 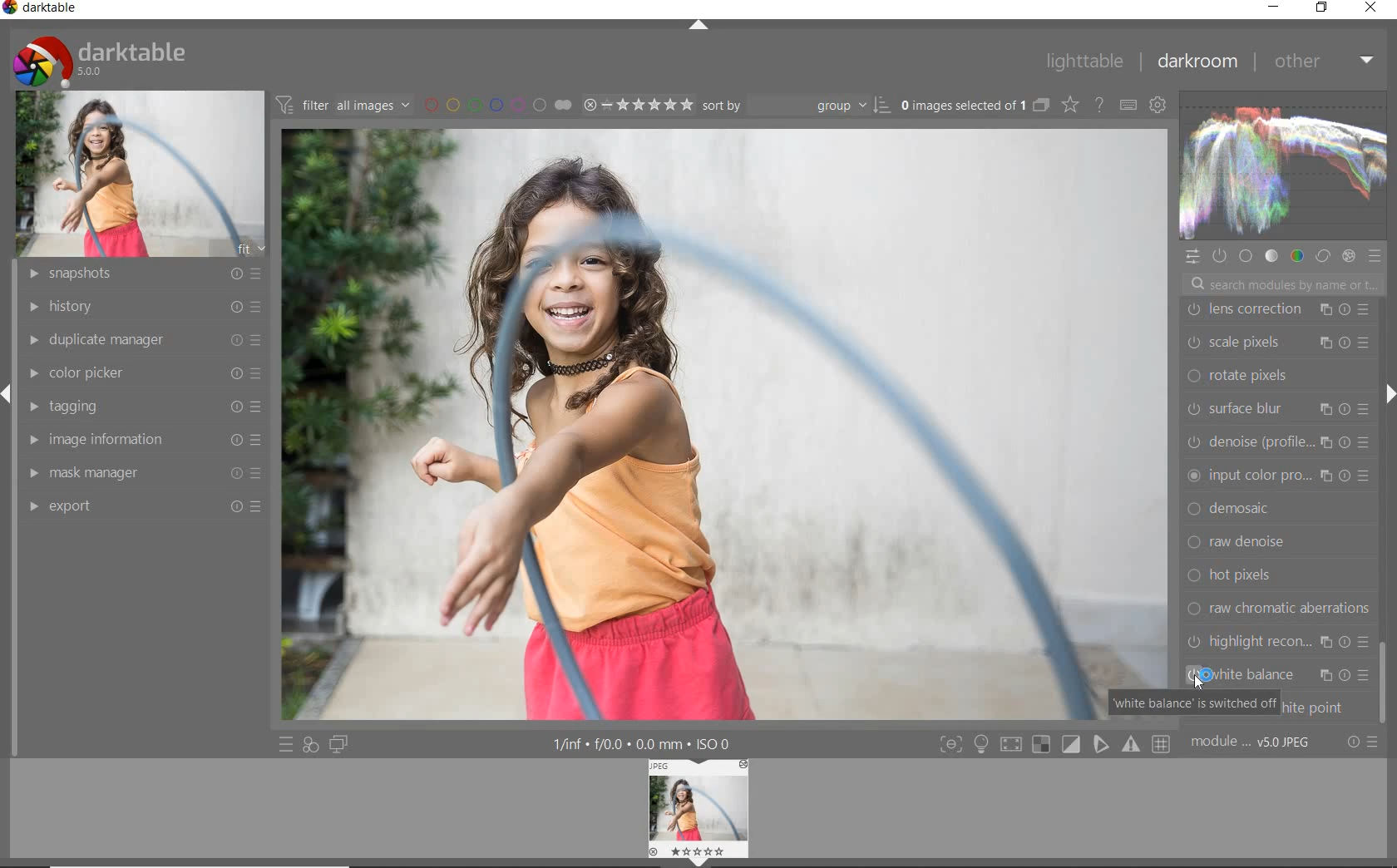 What do you see at coordinates (1278, 645) in the screenshot?
I see `lowlight vision` at bounding box center [1278, 645].